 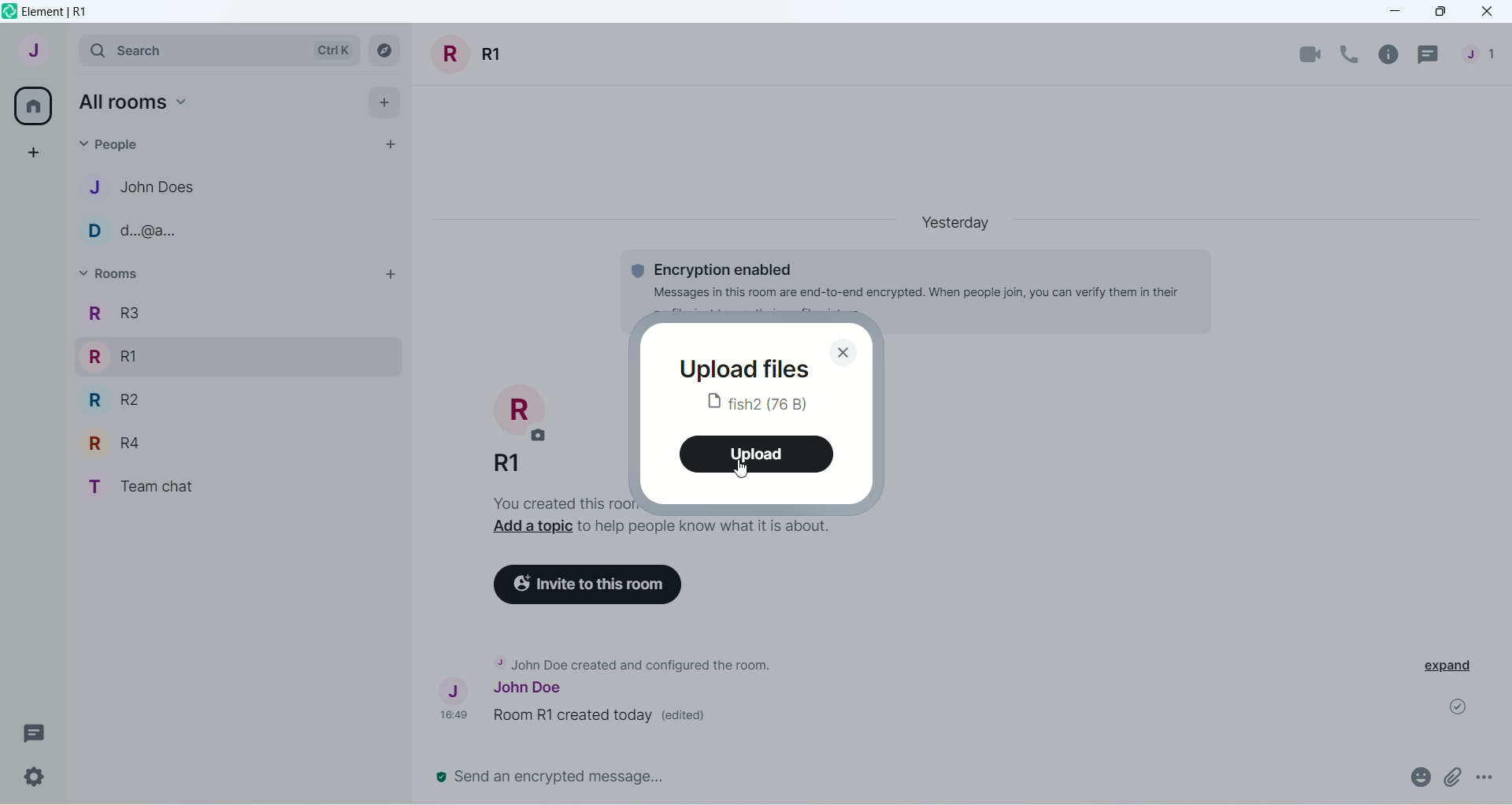 What do you see at coordinates (384, 51) in the screenshot?
I see `explore rooms` at bounding box center [384, 51].